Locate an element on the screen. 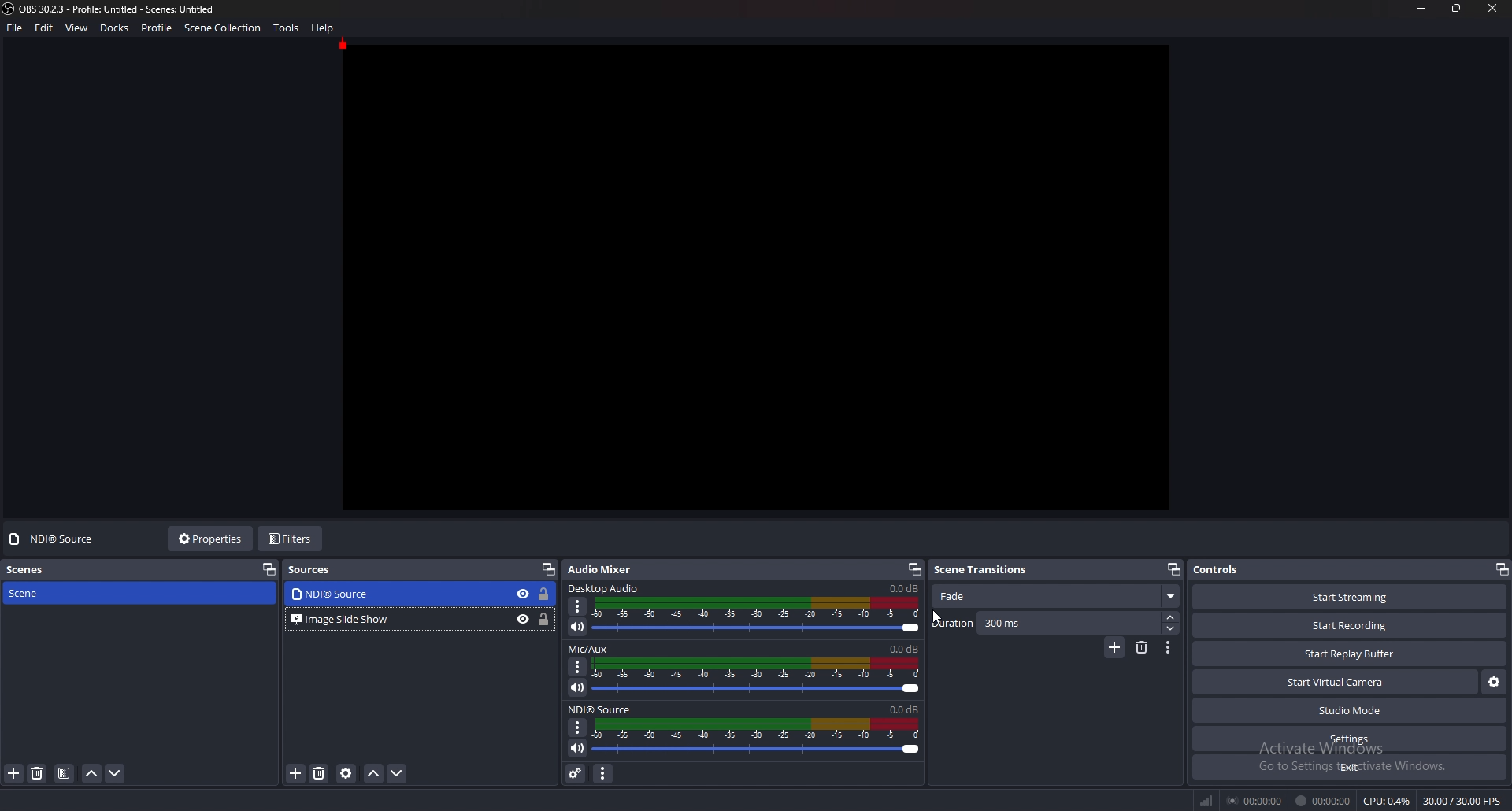 The width and height of the screenshot is (1512, 811). canvas is located at coordinates (758, 277).